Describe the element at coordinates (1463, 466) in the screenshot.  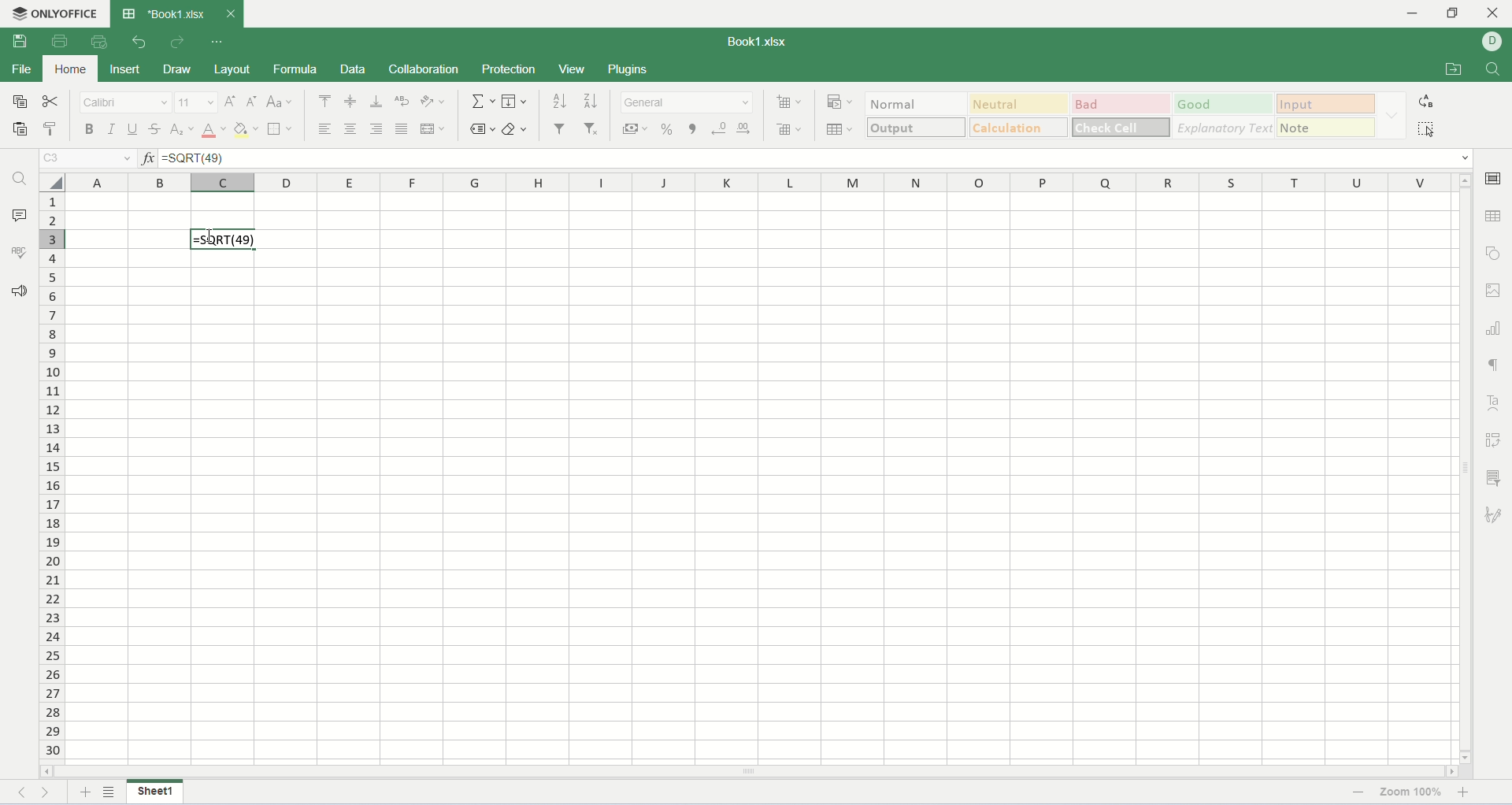
I see `vertical scroll bar` at that location.